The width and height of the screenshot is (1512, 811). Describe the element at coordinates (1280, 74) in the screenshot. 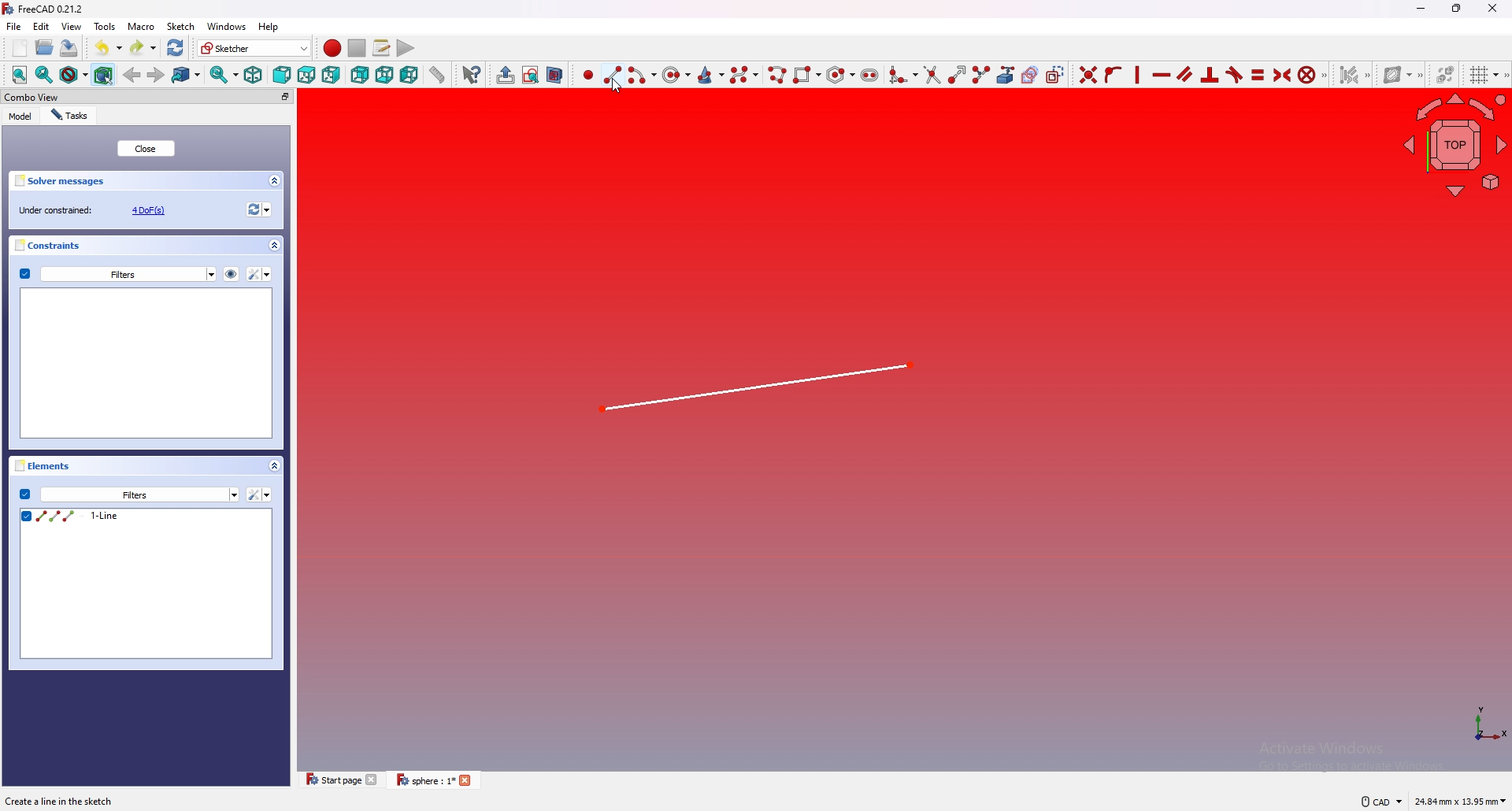

I see `Constraint Symmetrical` at that location.